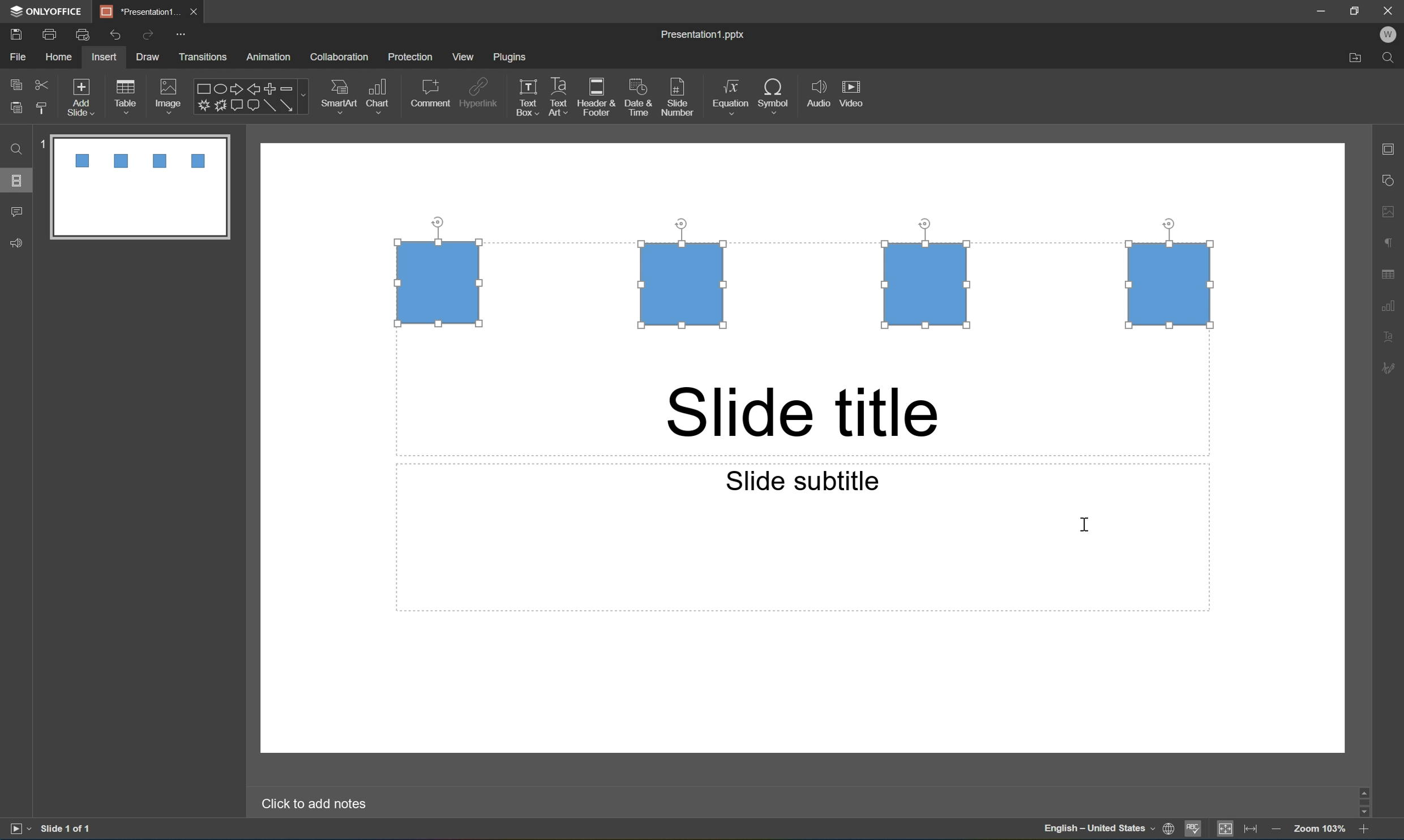  Describe the element at coordinates (512, 58) in the screenshot. I see `plugins` at that location.